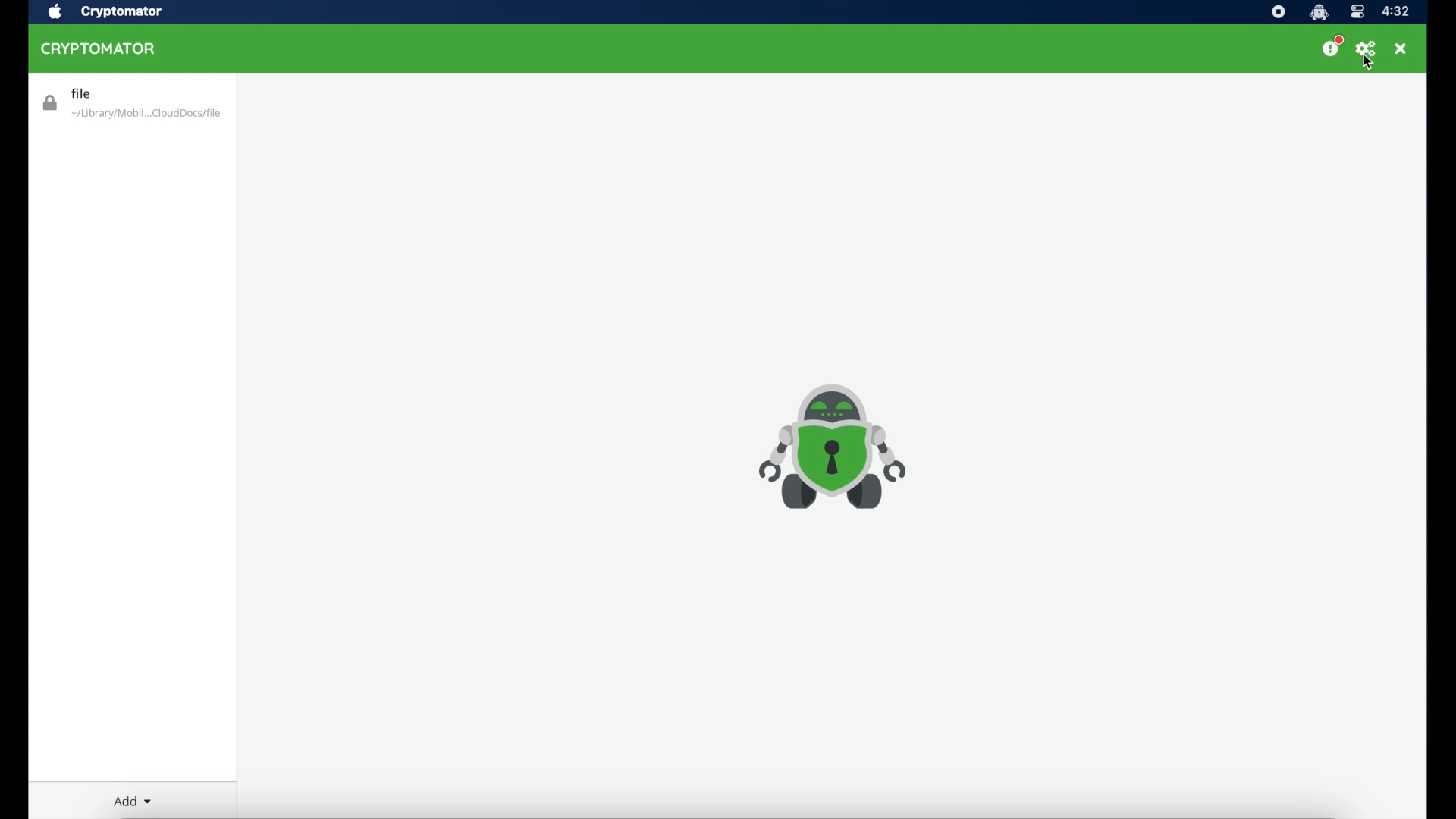  I want to click on time, so click(1395, 12).